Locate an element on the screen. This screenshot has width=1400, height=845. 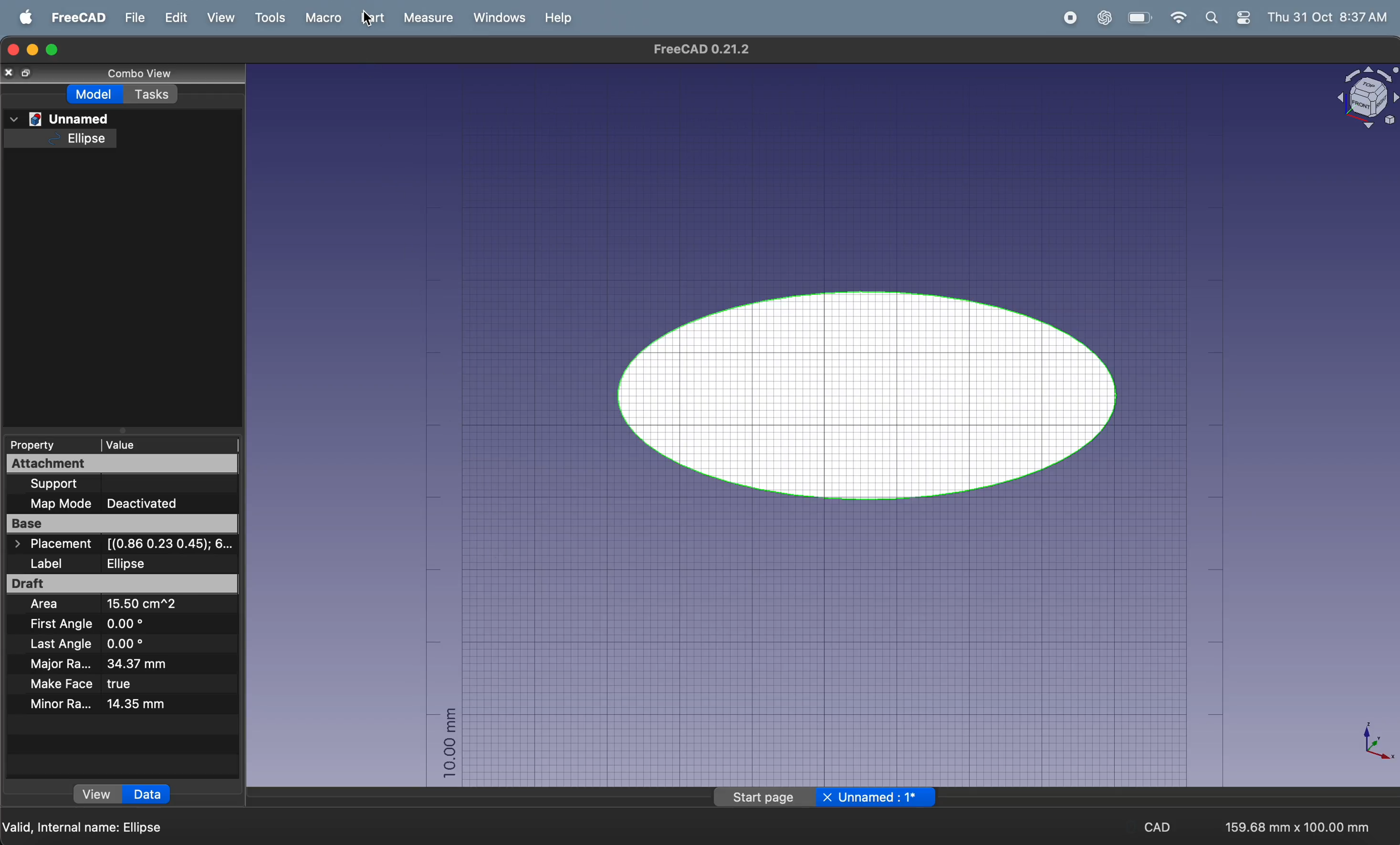
cad is located at coordinates (1159, 825).